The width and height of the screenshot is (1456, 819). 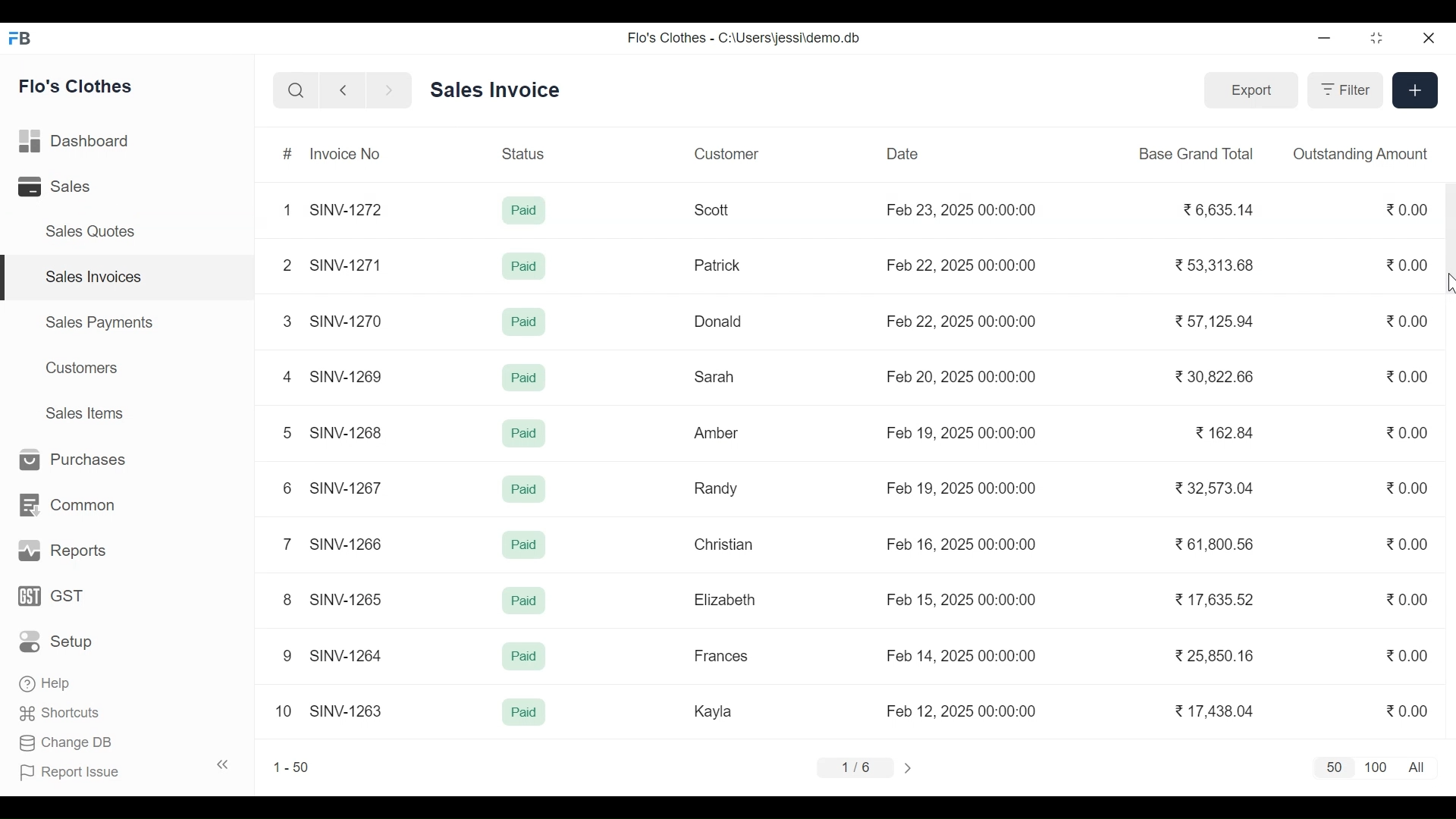 I want to click on SINV-1265, so click(x=347, y=600).